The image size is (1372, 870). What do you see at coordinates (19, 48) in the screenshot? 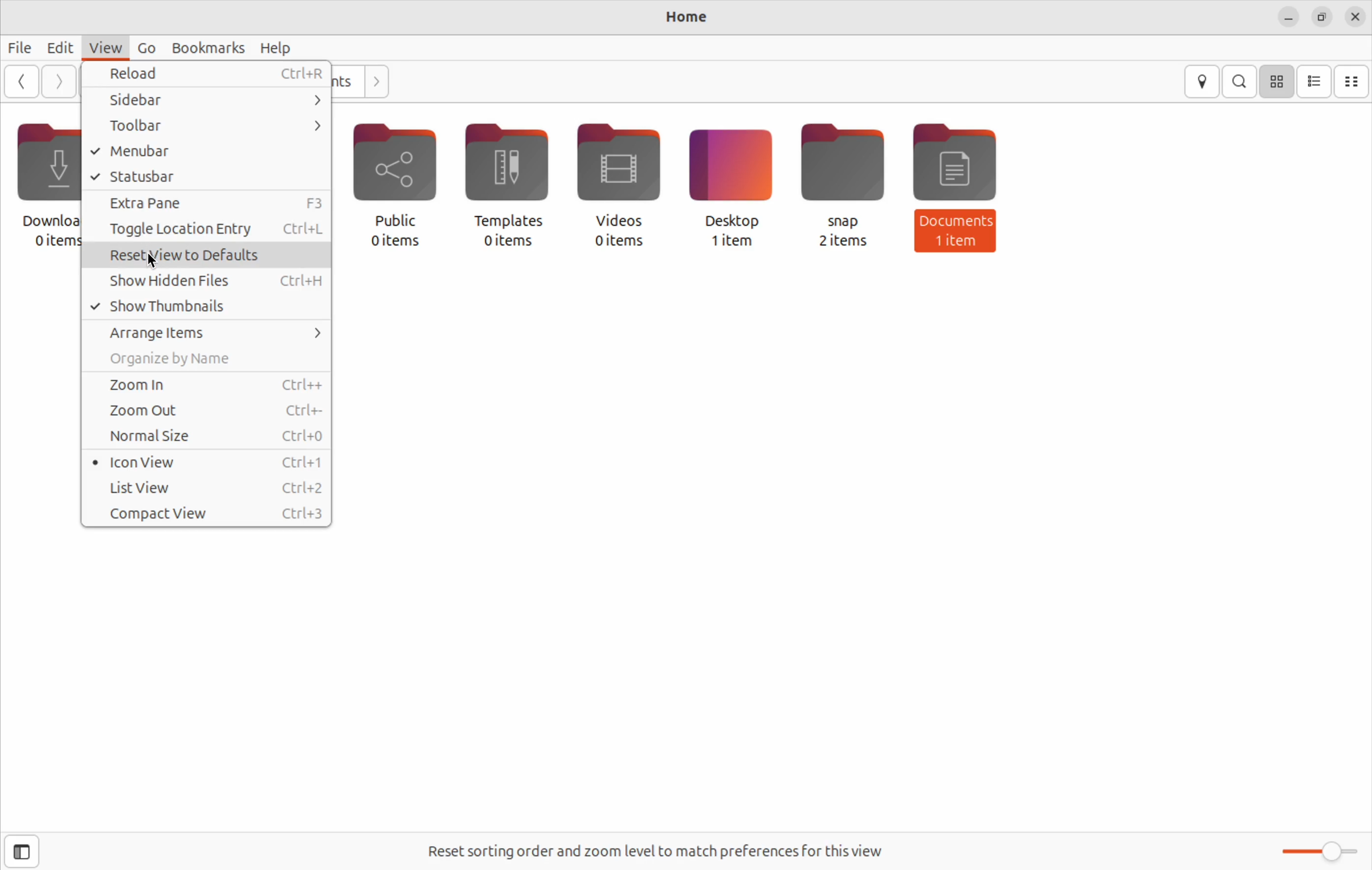
I see `file` at bounding box center [19, 48].